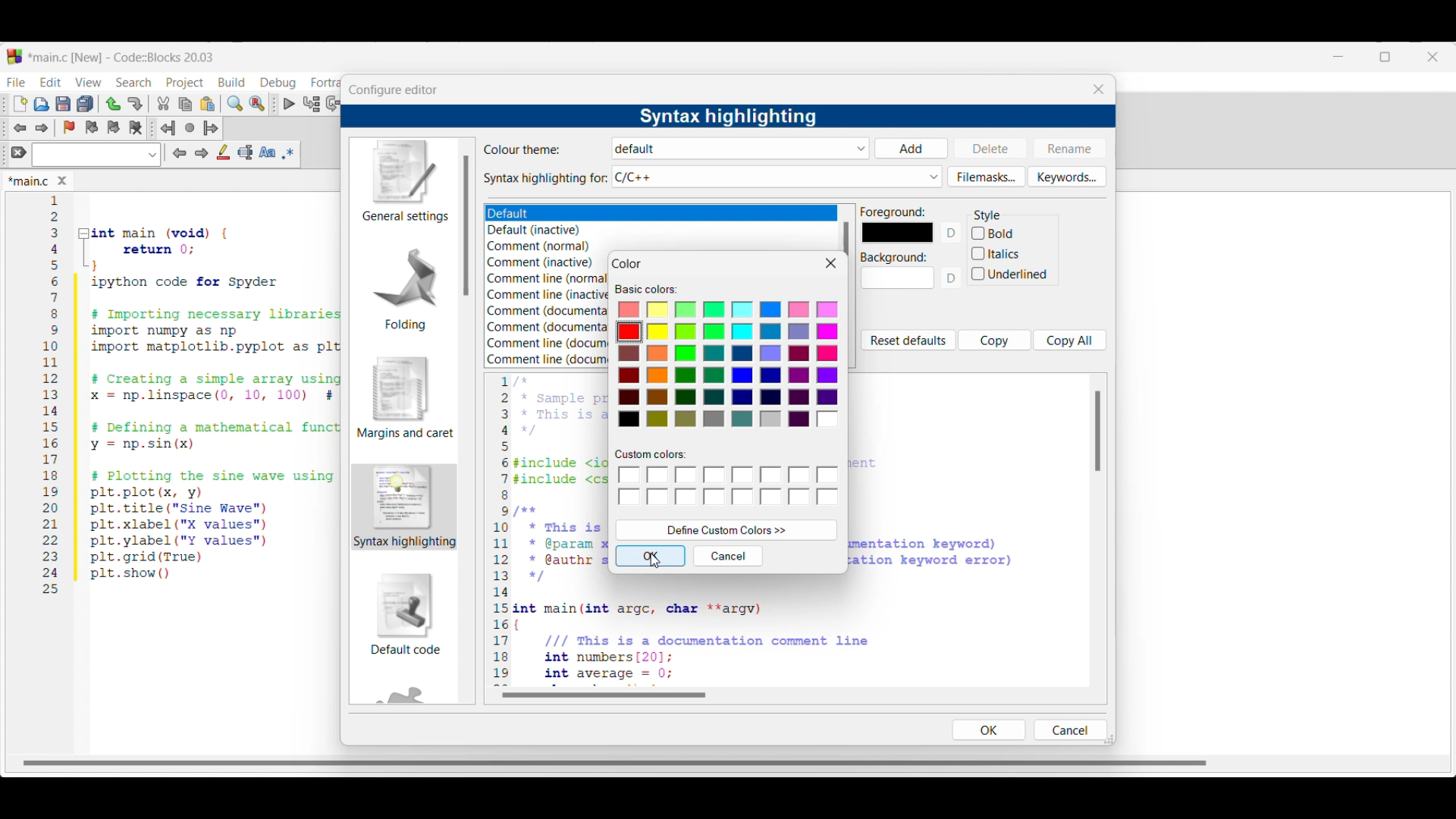 This screenshot has height=819, width=1456. What do you see at coordinates (113, 104) in the screenshot?
I see `Undo` at bounding box center [113, 104].